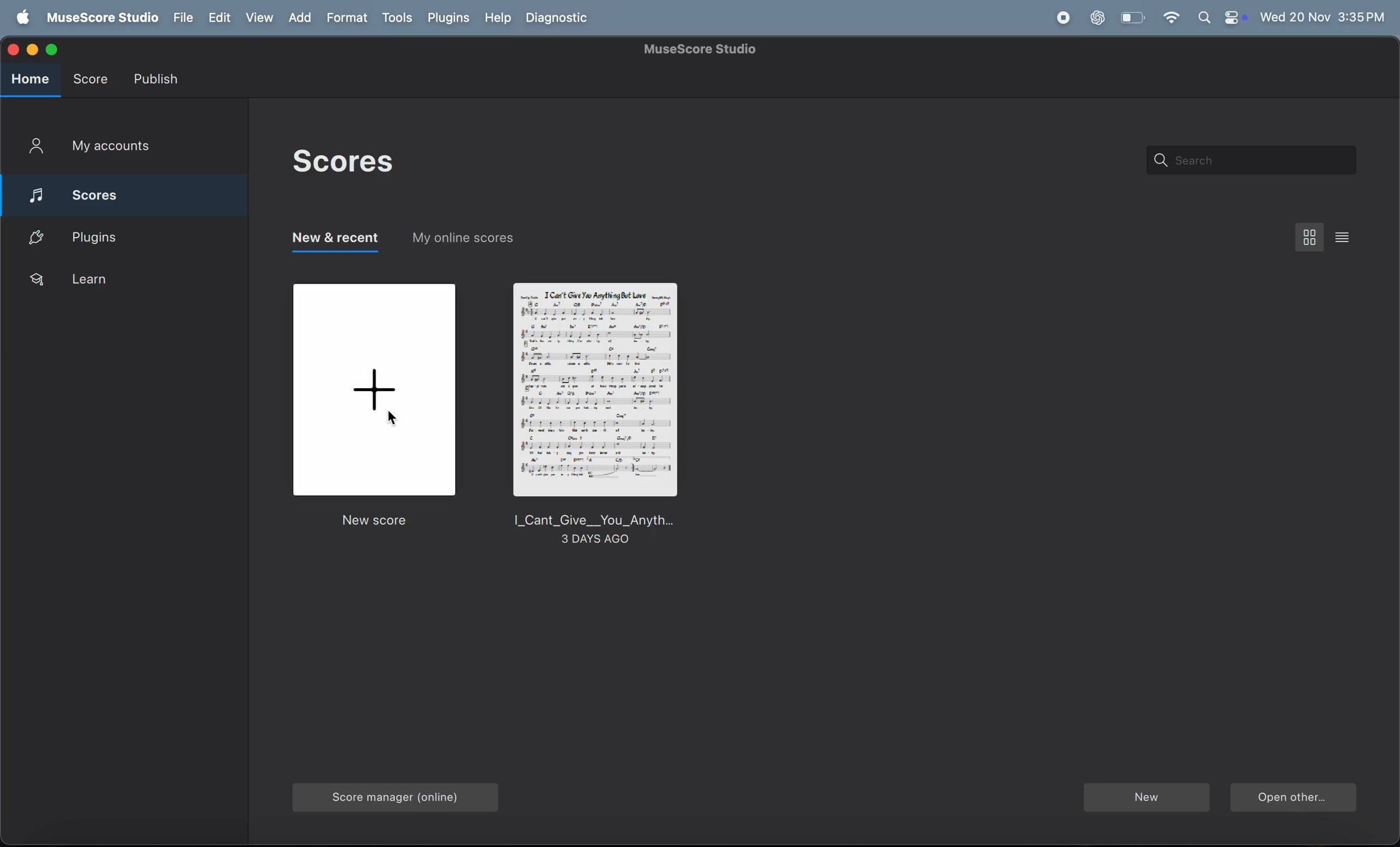  I want to click on My online courses, so click(463, 242).